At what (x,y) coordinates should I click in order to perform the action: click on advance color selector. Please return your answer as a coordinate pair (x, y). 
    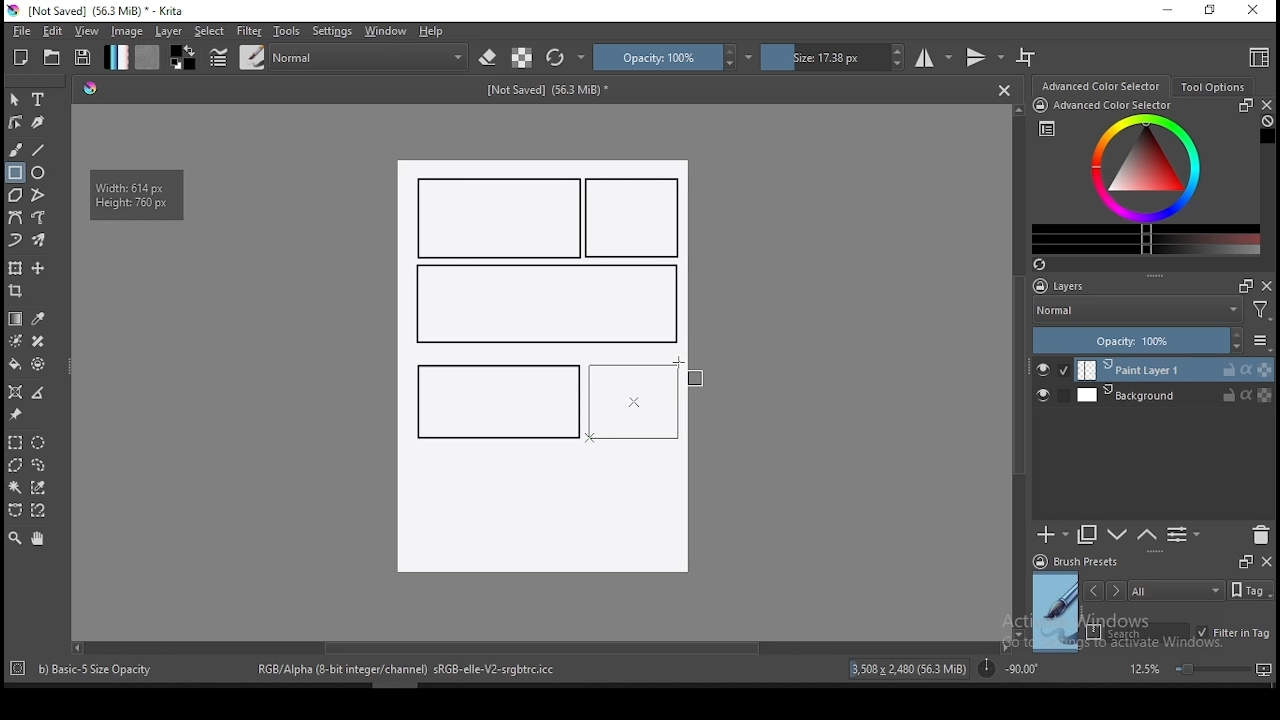
    Looking at the image, I should click on (1103, 85).